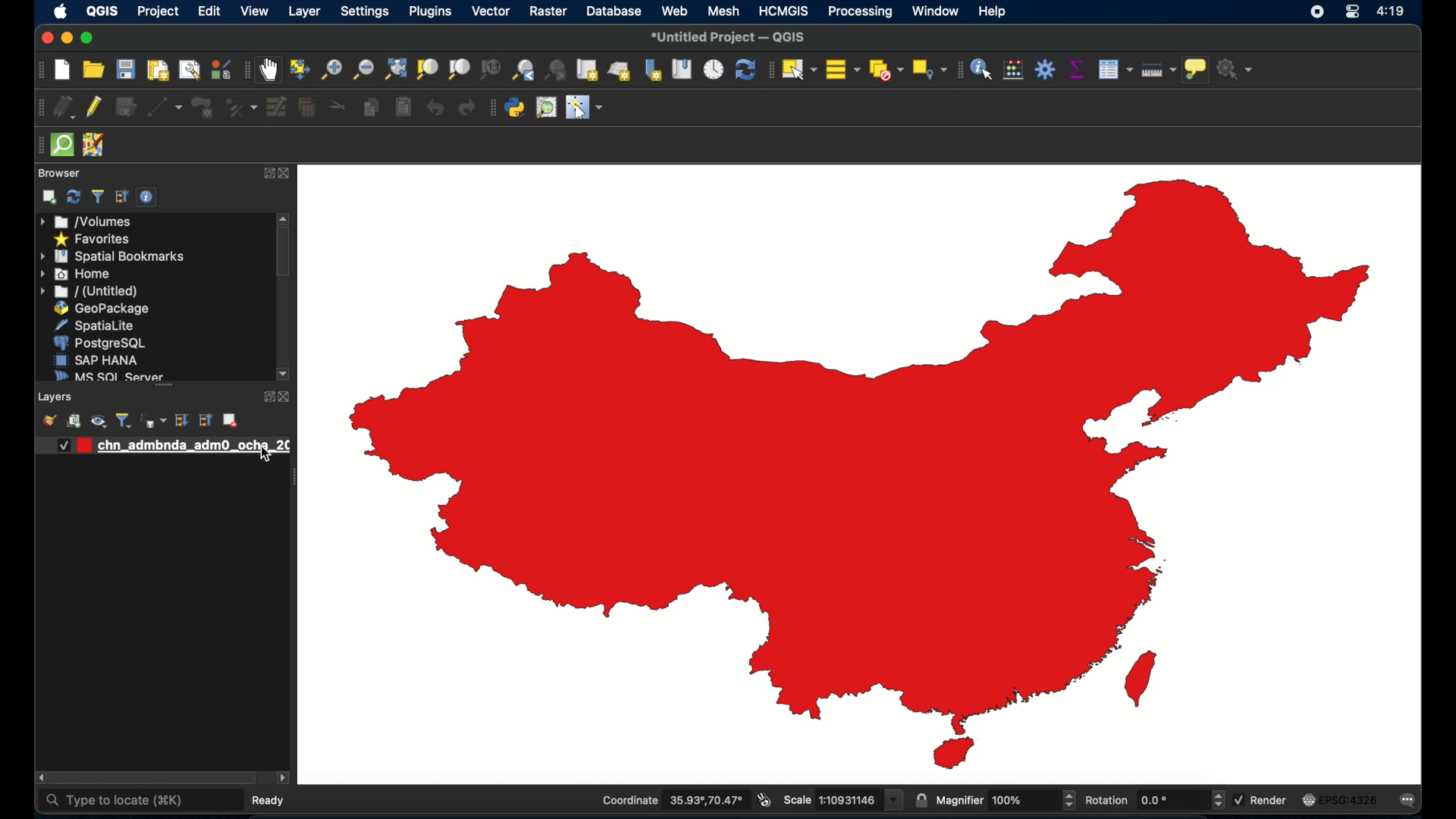 This screenshot has width=1456, height=819. Describe the element at coordinates (981, 71) in the screenshot. I see `identify features` at that location.